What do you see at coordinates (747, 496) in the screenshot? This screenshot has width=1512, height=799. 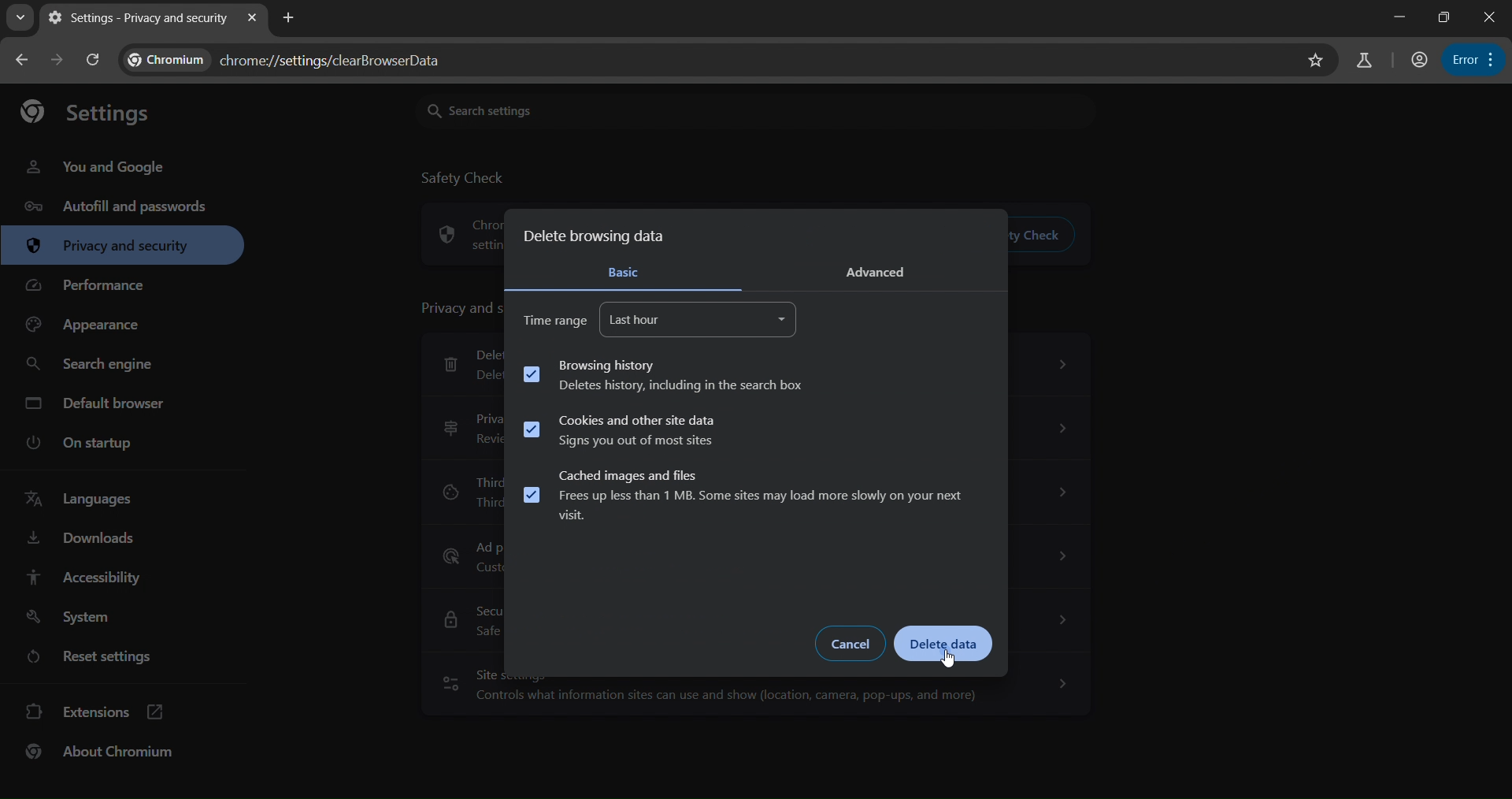 I see `Cached images and files
Frees up less than 1 MB. Some sites may load more slowly on your next
visit.` at bounding box center [747, 496].